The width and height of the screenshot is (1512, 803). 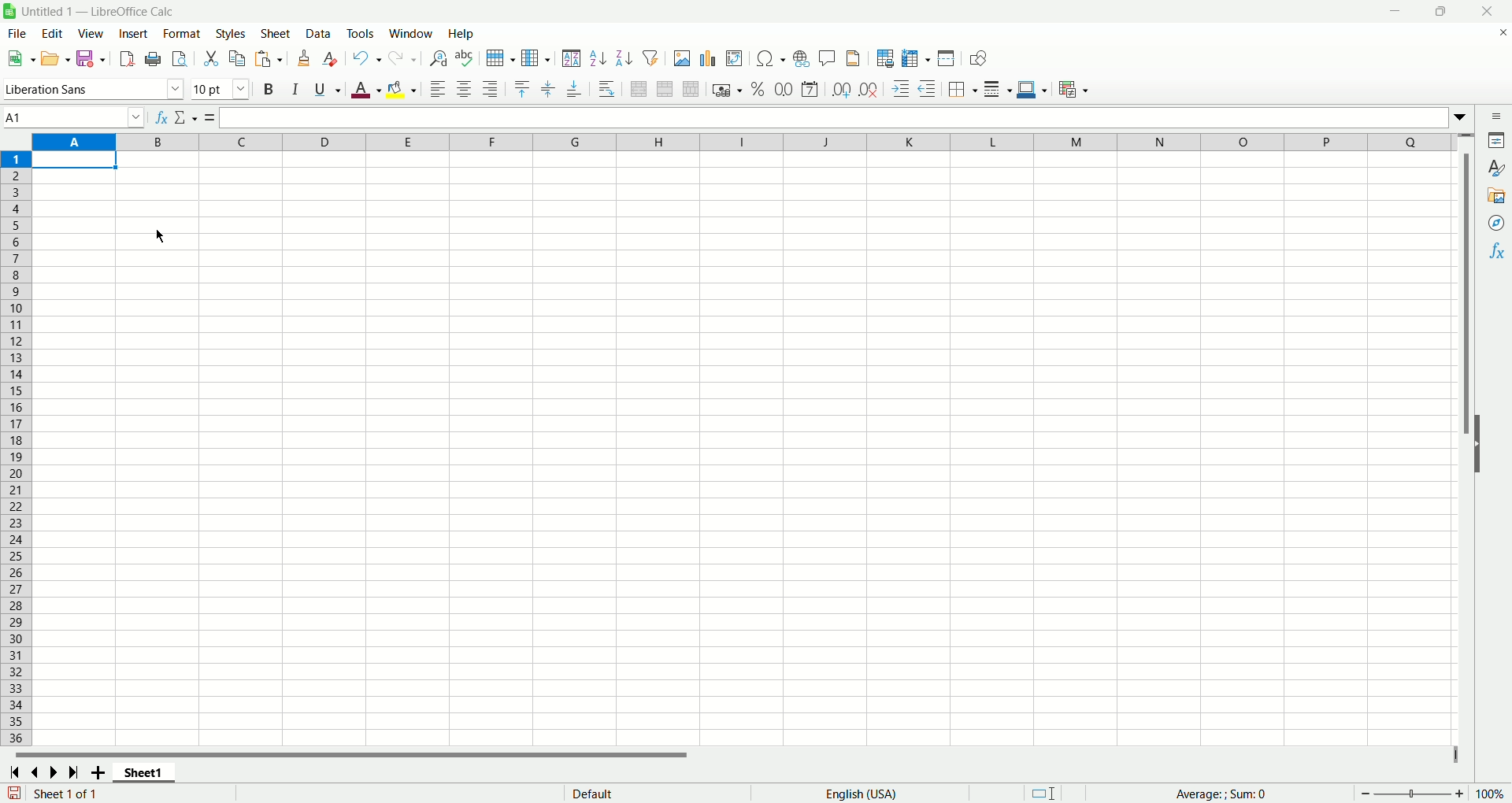 What do you see at coordinates (666, 87) in the screenshot?
I see `merge cells` at bounding box center [666, 87].